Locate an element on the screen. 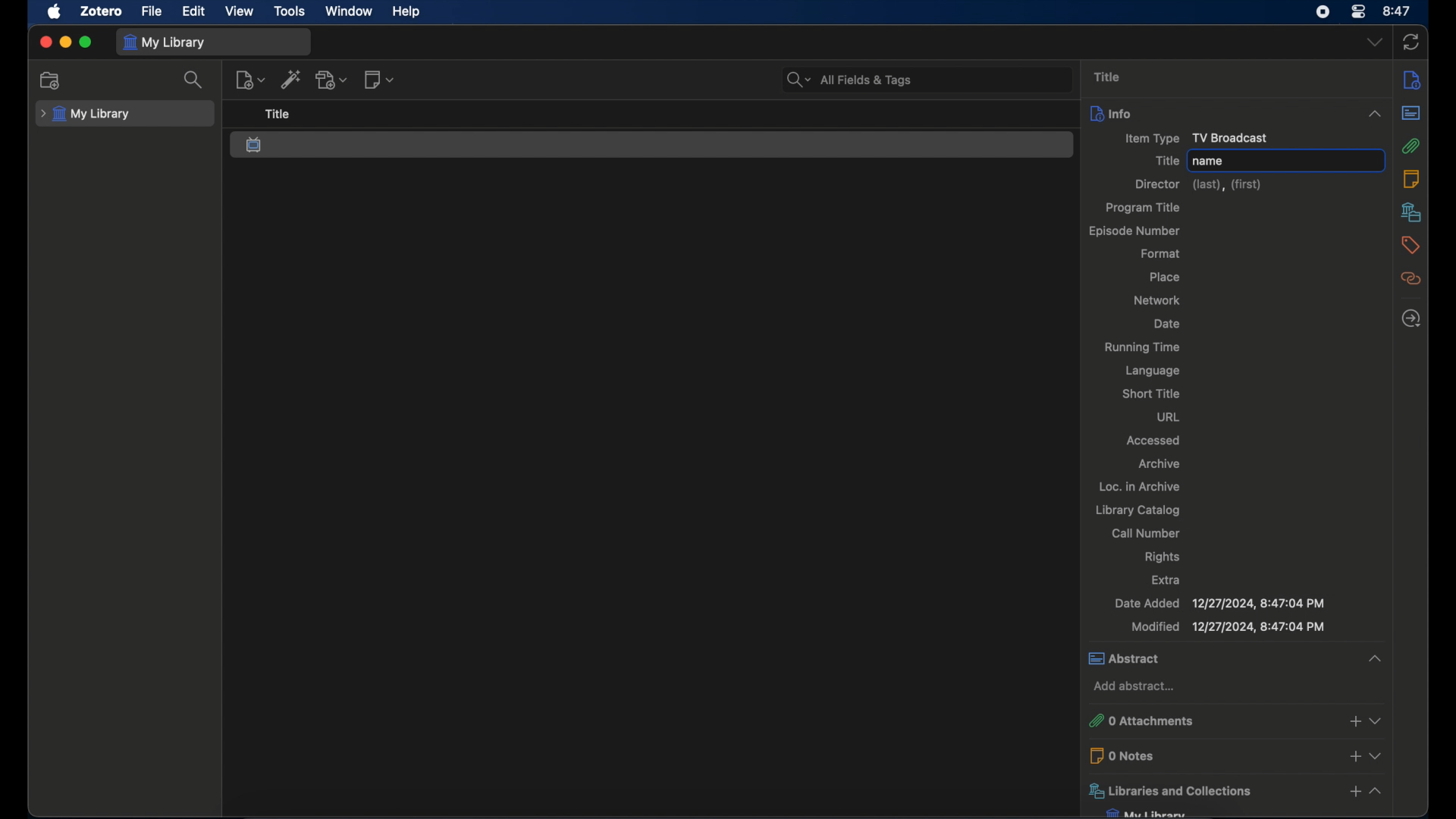 The width and height of the screenshot is (1456, 819). call number is located at coordinates (1145, 534).